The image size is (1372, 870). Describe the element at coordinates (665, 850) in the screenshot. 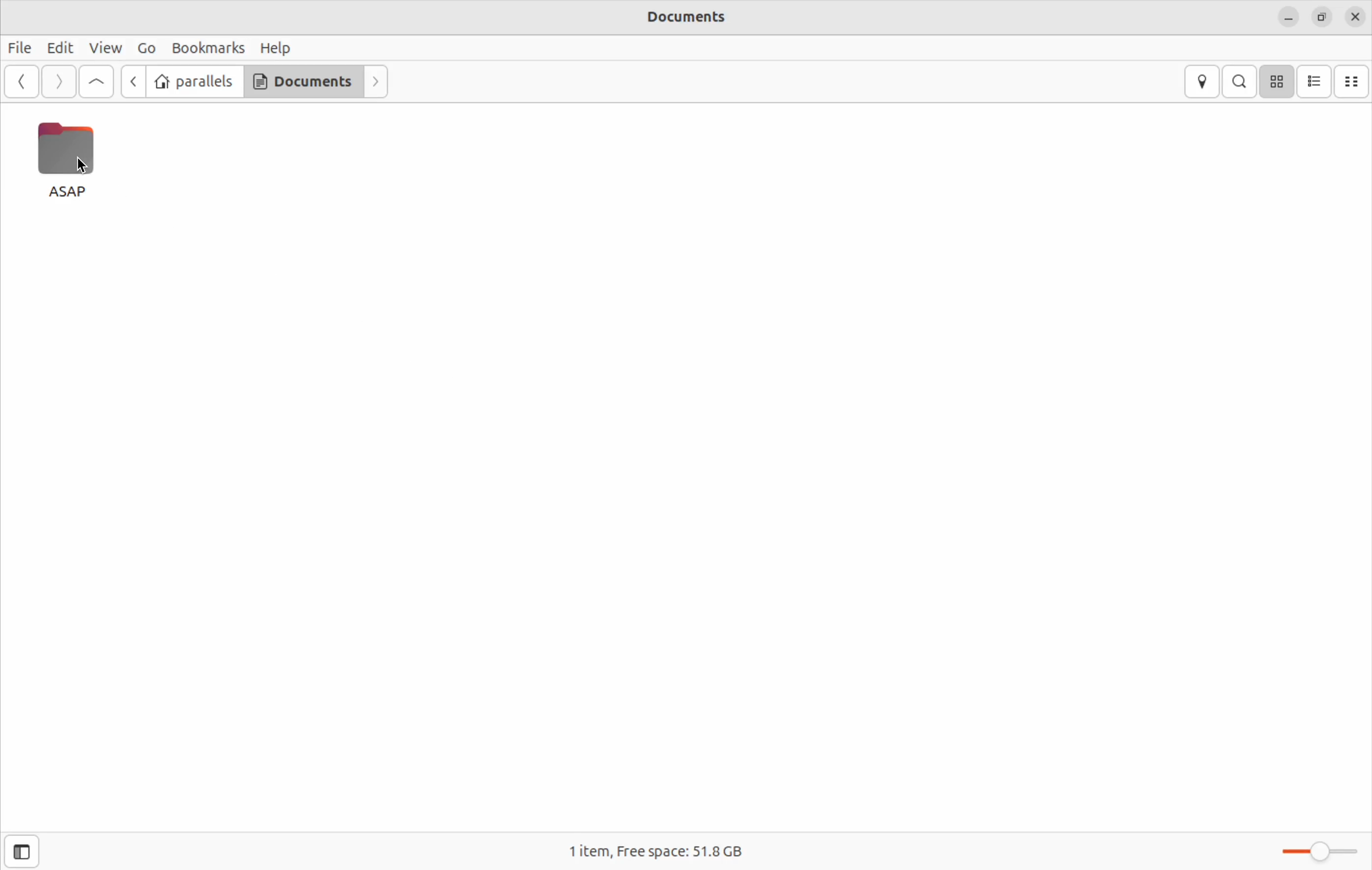

I see `1 item, Free space: 51.8 GB` at that location.